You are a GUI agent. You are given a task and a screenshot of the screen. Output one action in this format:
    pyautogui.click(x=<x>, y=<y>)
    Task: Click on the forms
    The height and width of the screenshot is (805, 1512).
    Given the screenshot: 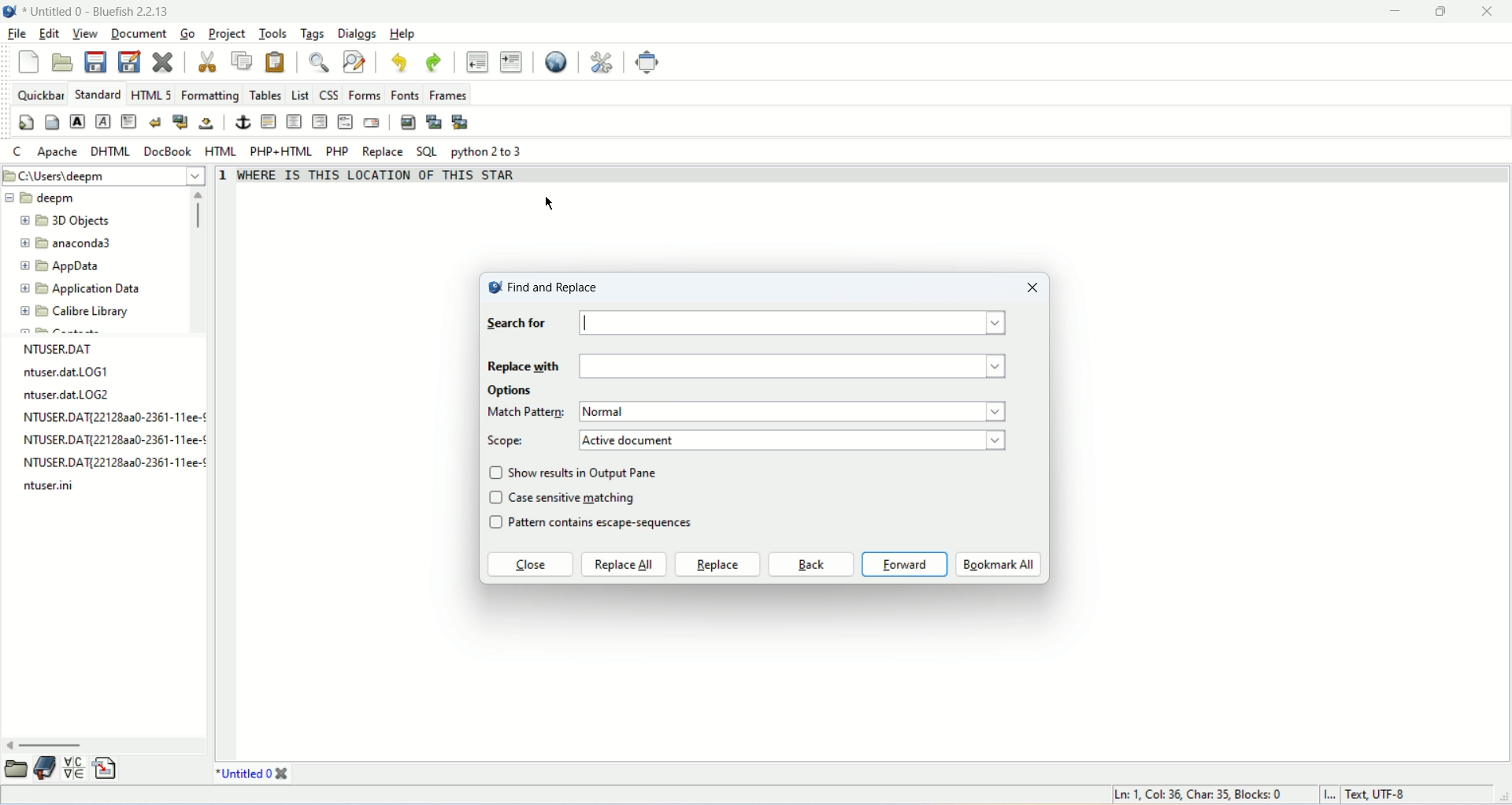 What is the action you would take?
    pyautogui.click(x=365, y=95)
    